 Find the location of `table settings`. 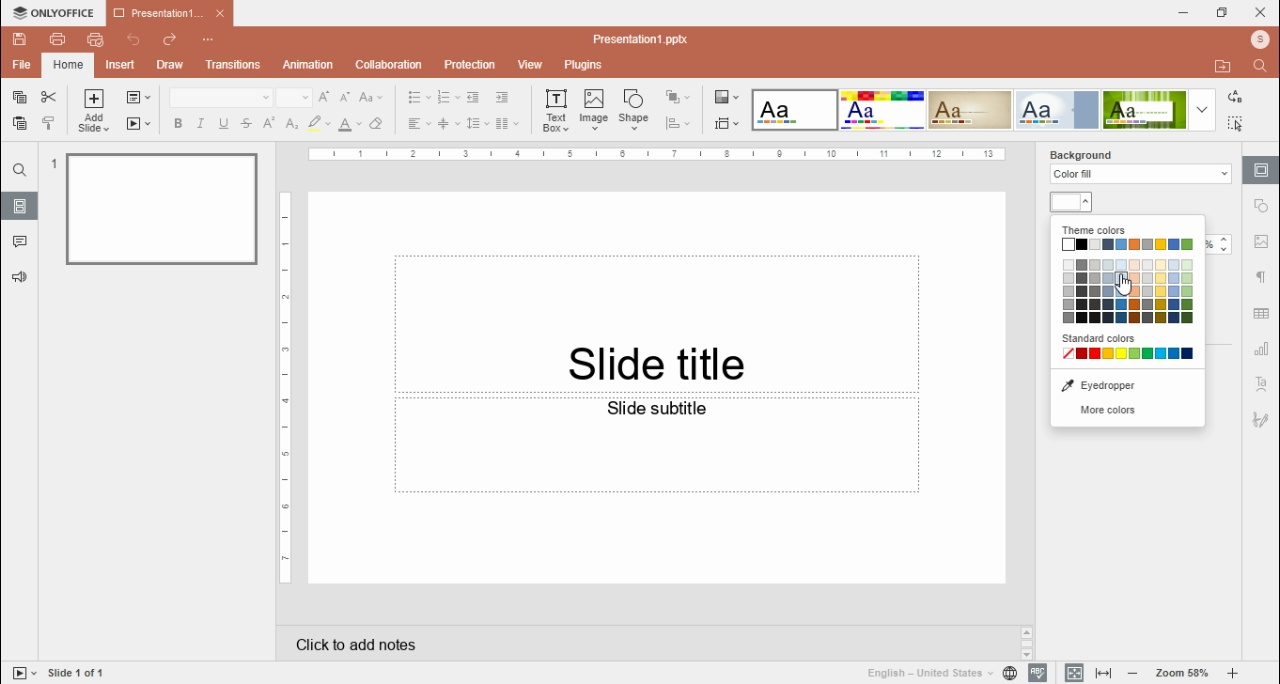

table settings is located at coordinates (1262, 316).